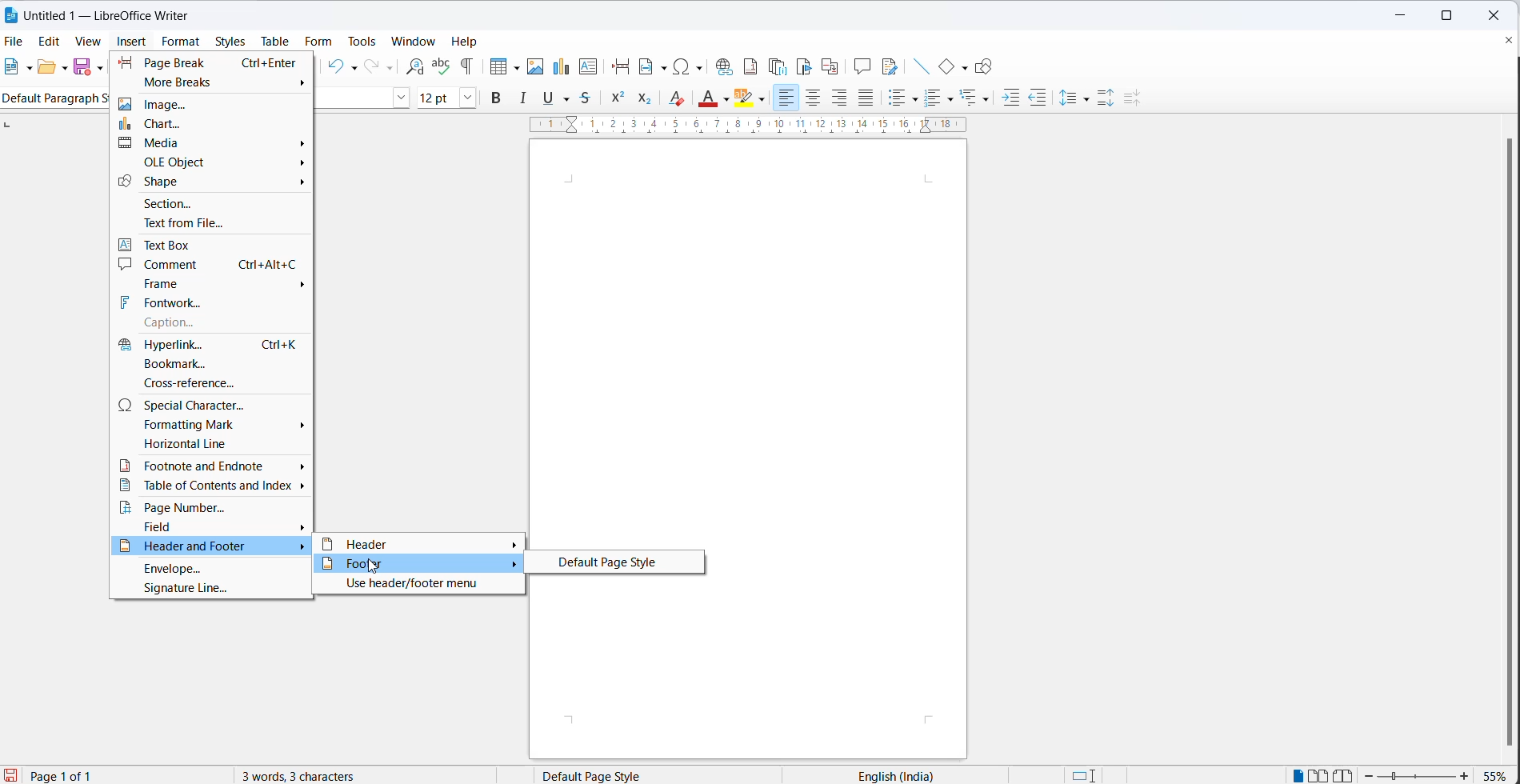 The width and height of the screenshot is (1520, 784). I want to click on justified, so click(867, 98).